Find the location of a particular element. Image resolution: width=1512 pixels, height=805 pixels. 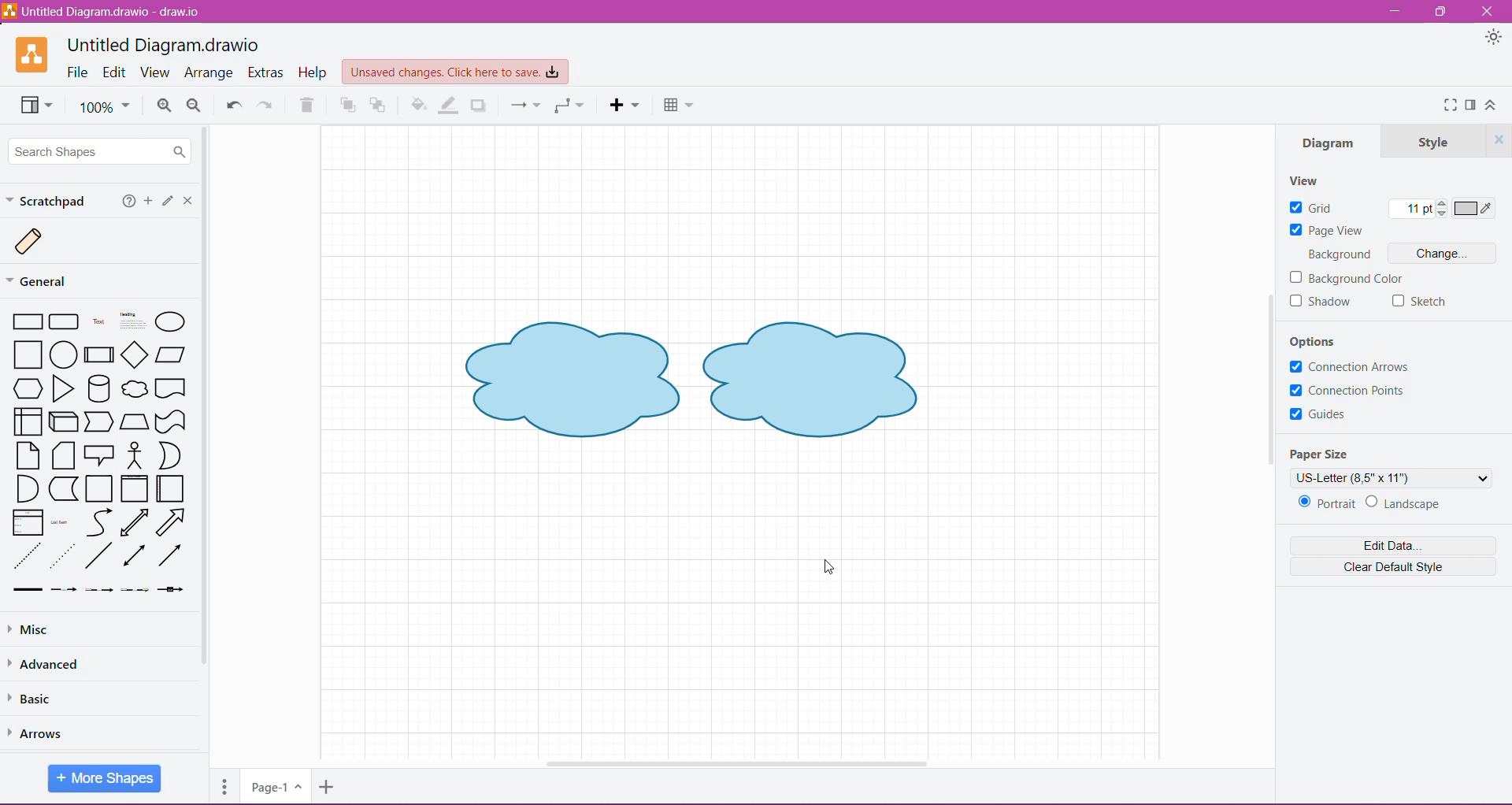

Close is located at coordinates (1488, 10).